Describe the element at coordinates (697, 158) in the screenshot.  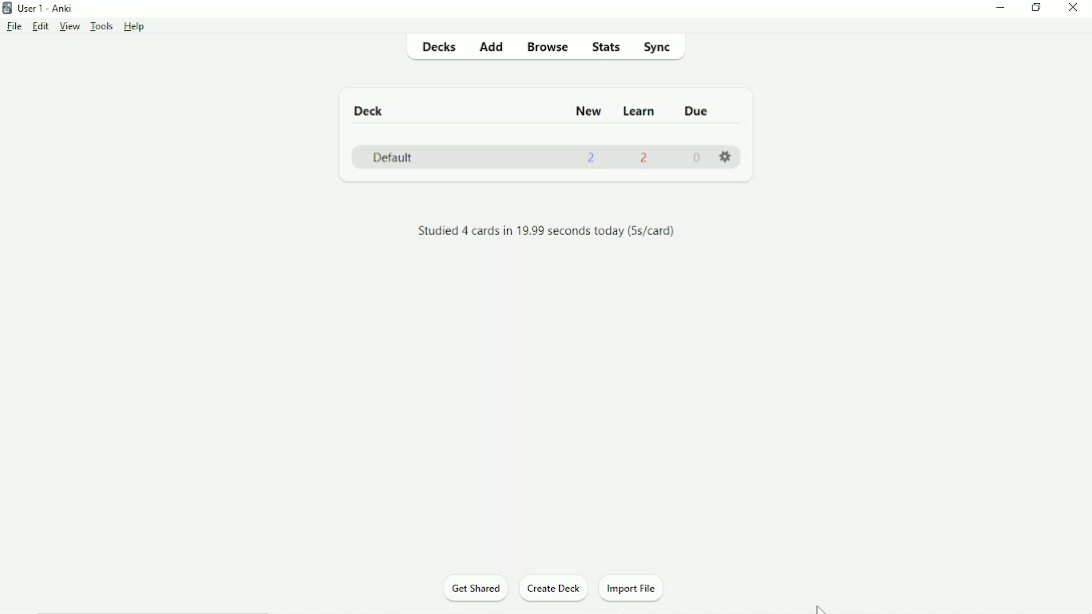
I see `0` at that location.